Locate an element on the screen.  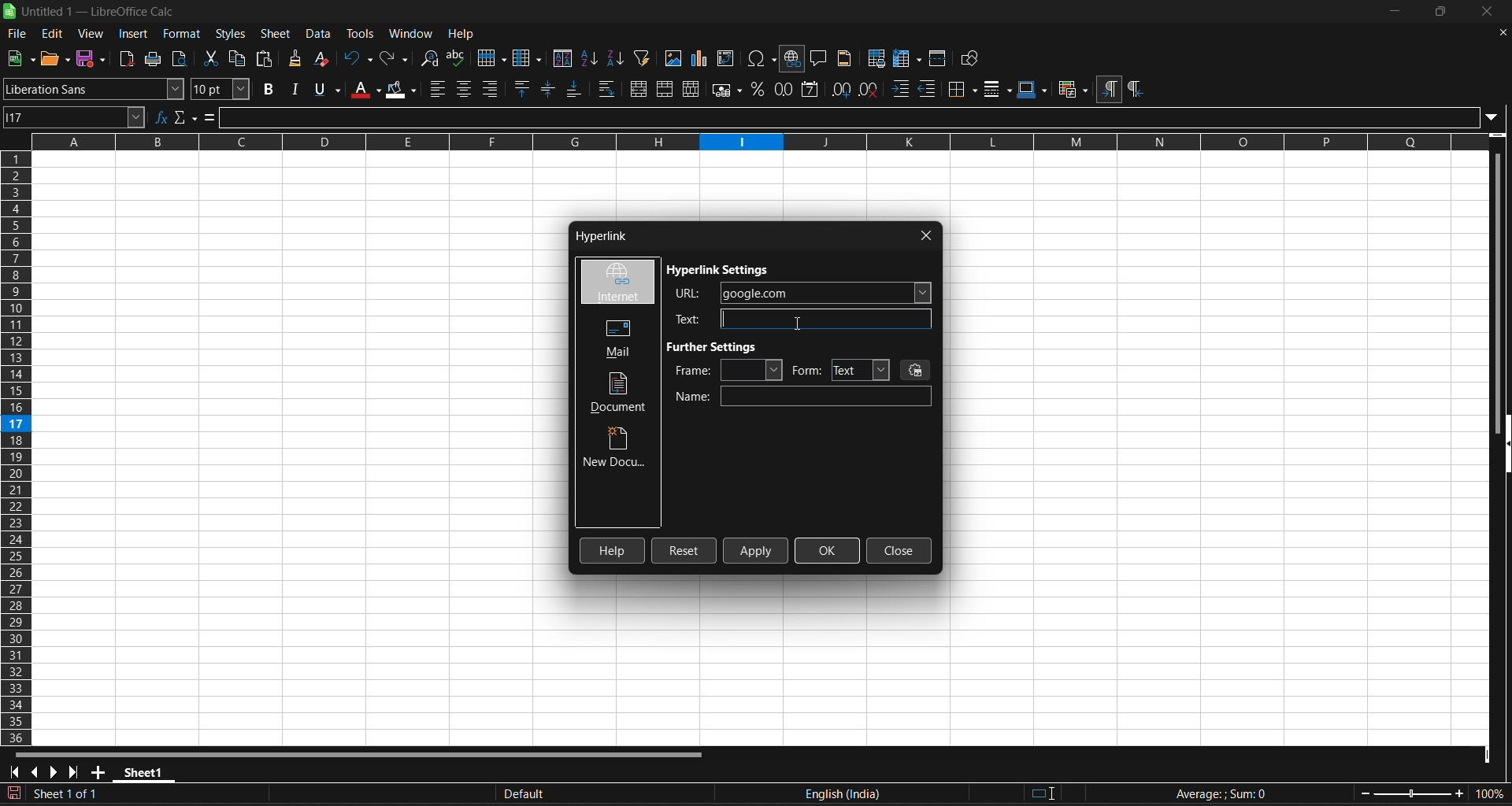
default is located at coordinates (646, 794).